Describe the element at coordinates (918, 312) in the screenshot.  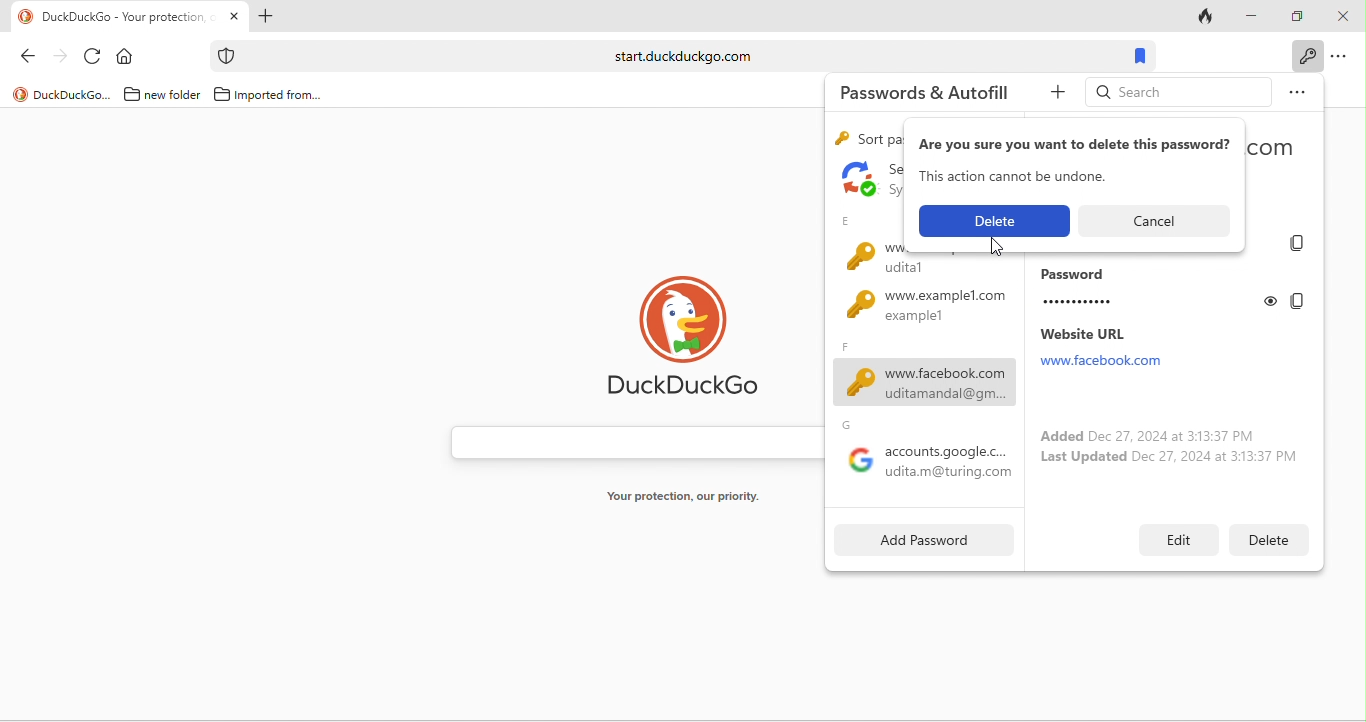
I see `www.example1.com` at that location.